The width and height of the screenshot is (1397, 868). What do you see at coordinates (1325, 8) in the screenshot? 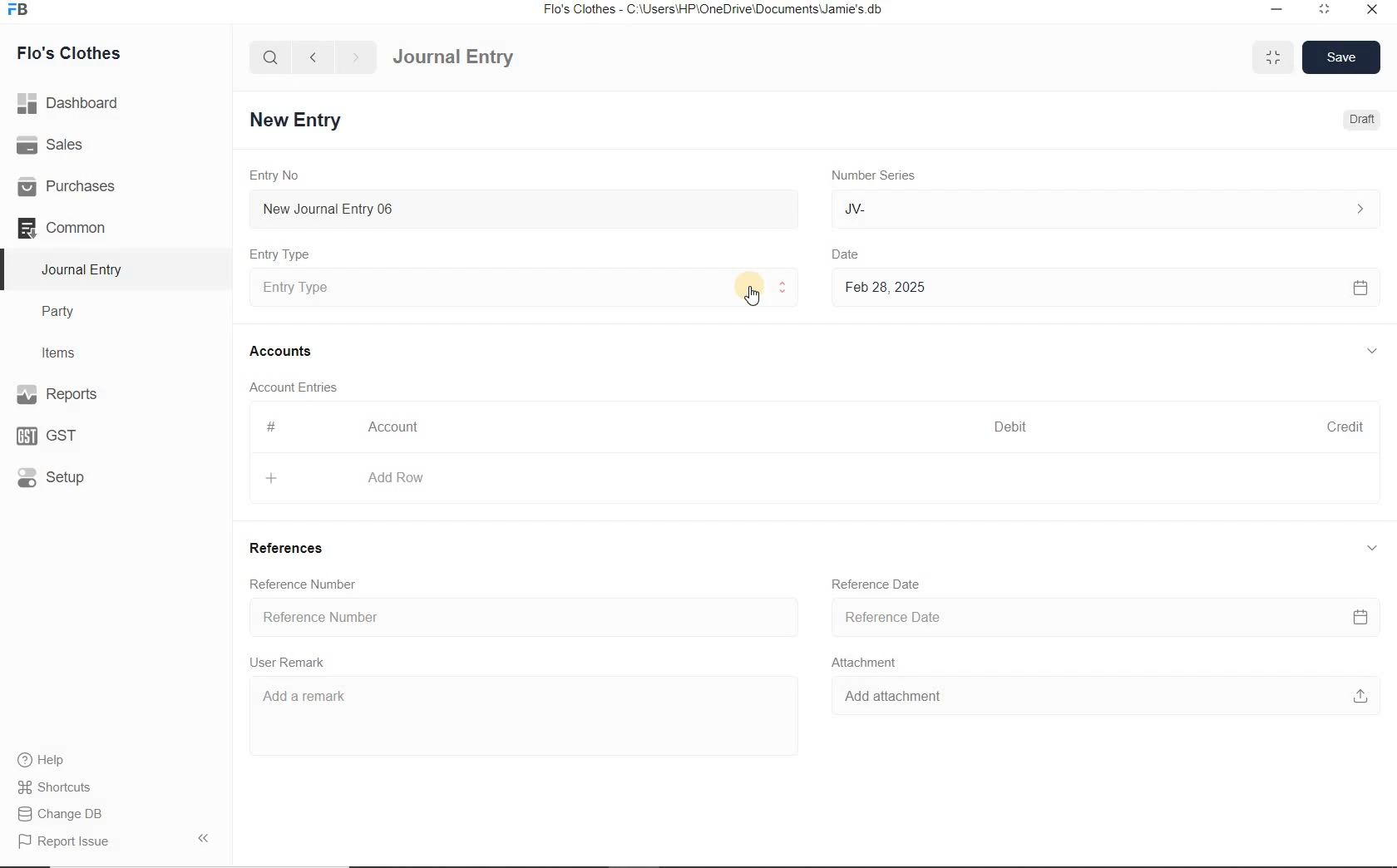
I see `maximize` at bounding box center [1325, 8].